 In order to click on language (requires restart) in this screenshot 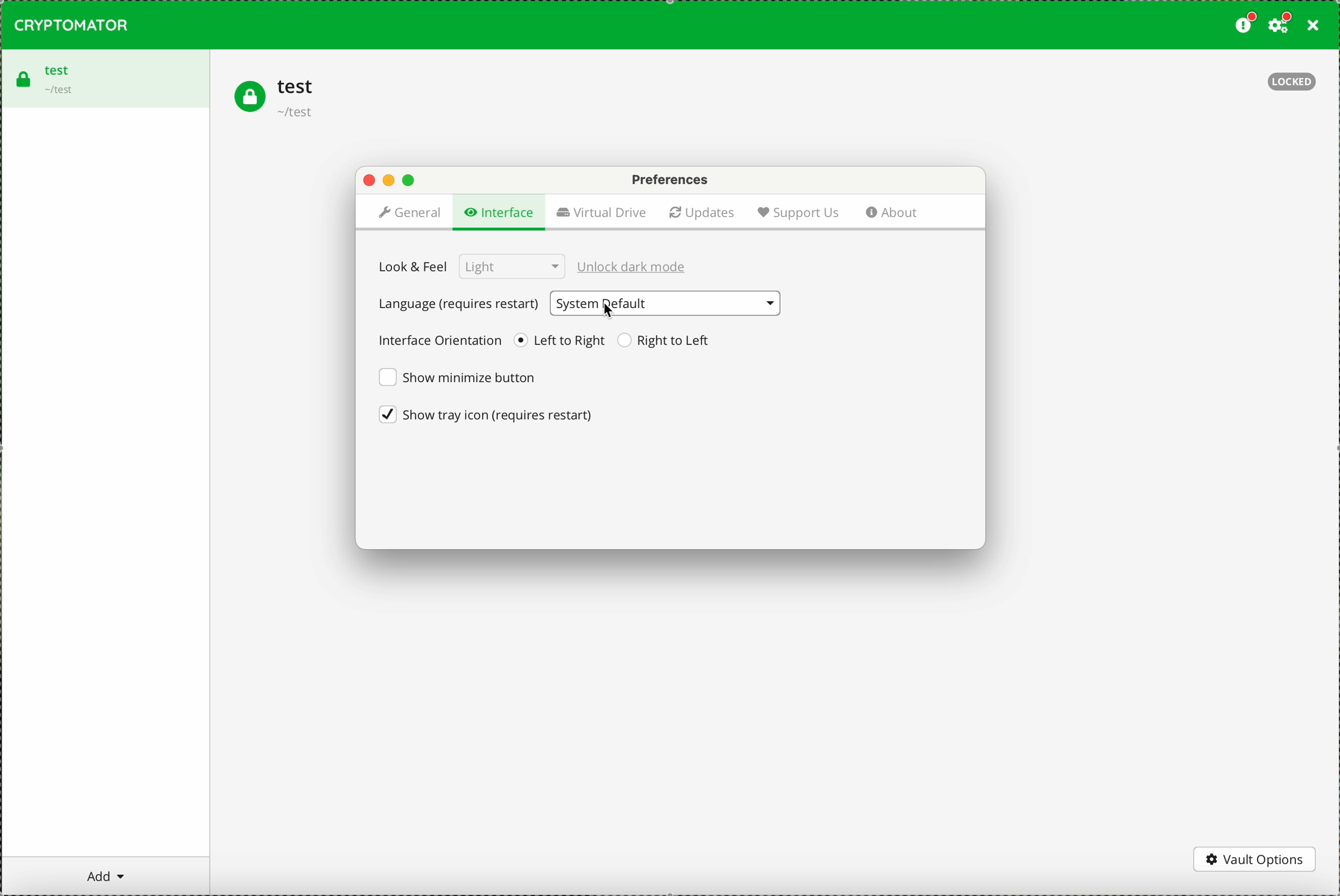, I will do `click(459, 306)`.